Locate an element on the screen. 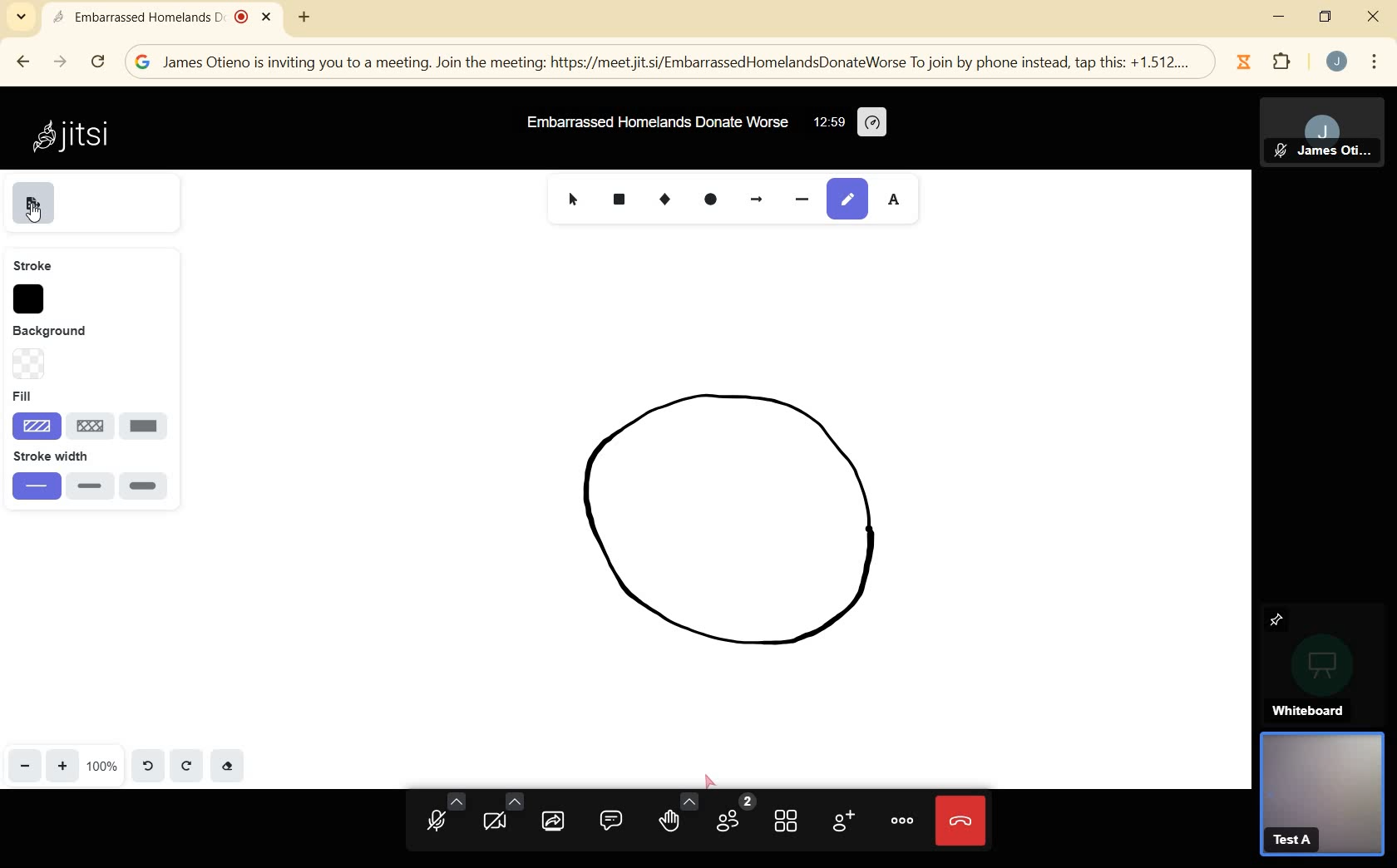 The height and width of the screenshot is (868, 1397). BACKGROUND is located at coordinates (63, 334).